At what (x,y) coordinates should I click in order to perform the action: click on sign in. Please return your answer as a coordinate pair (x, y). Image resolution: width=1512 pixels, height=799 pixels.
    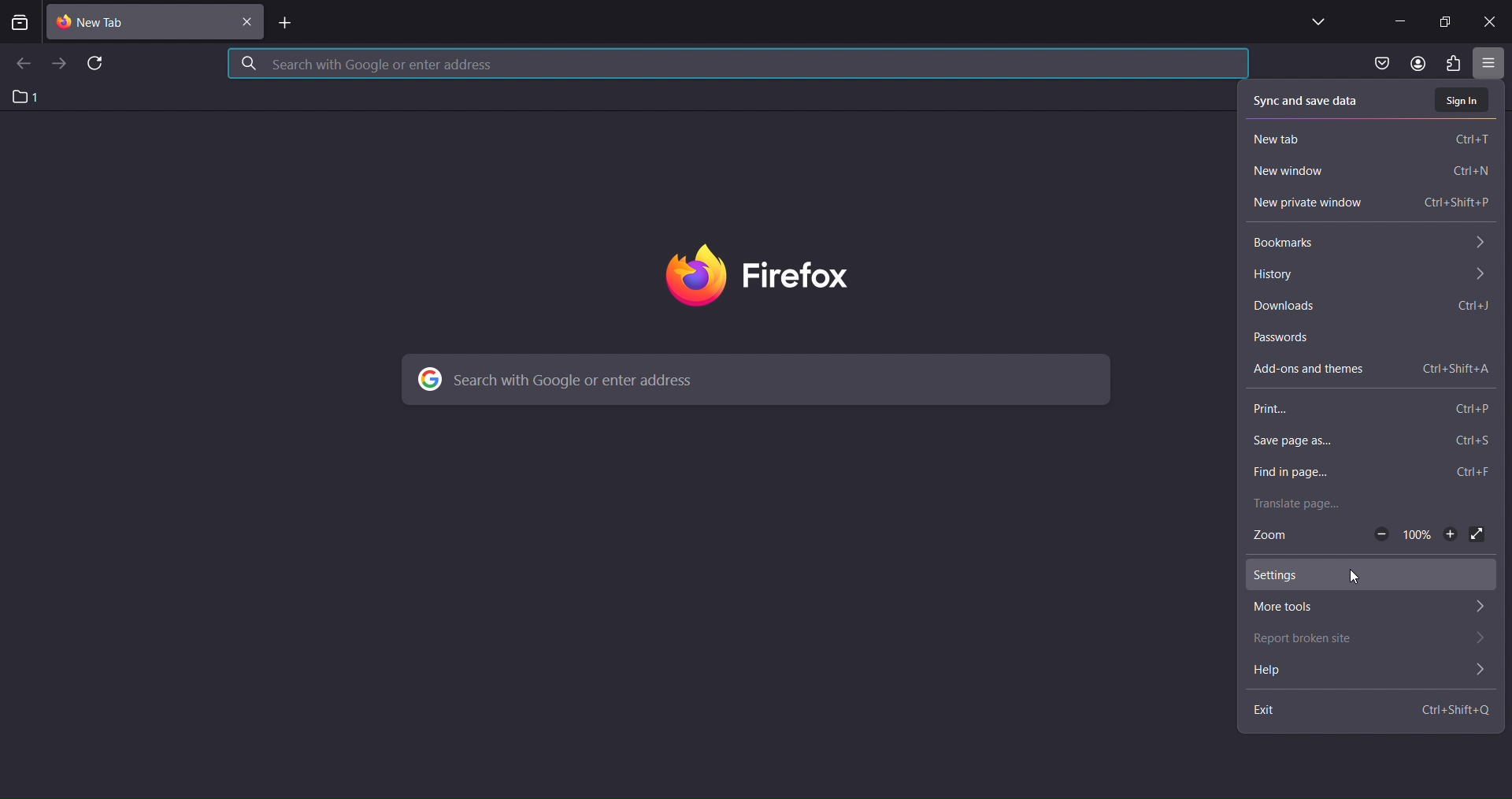
    Looking at the image, I should click on (1466, 100).